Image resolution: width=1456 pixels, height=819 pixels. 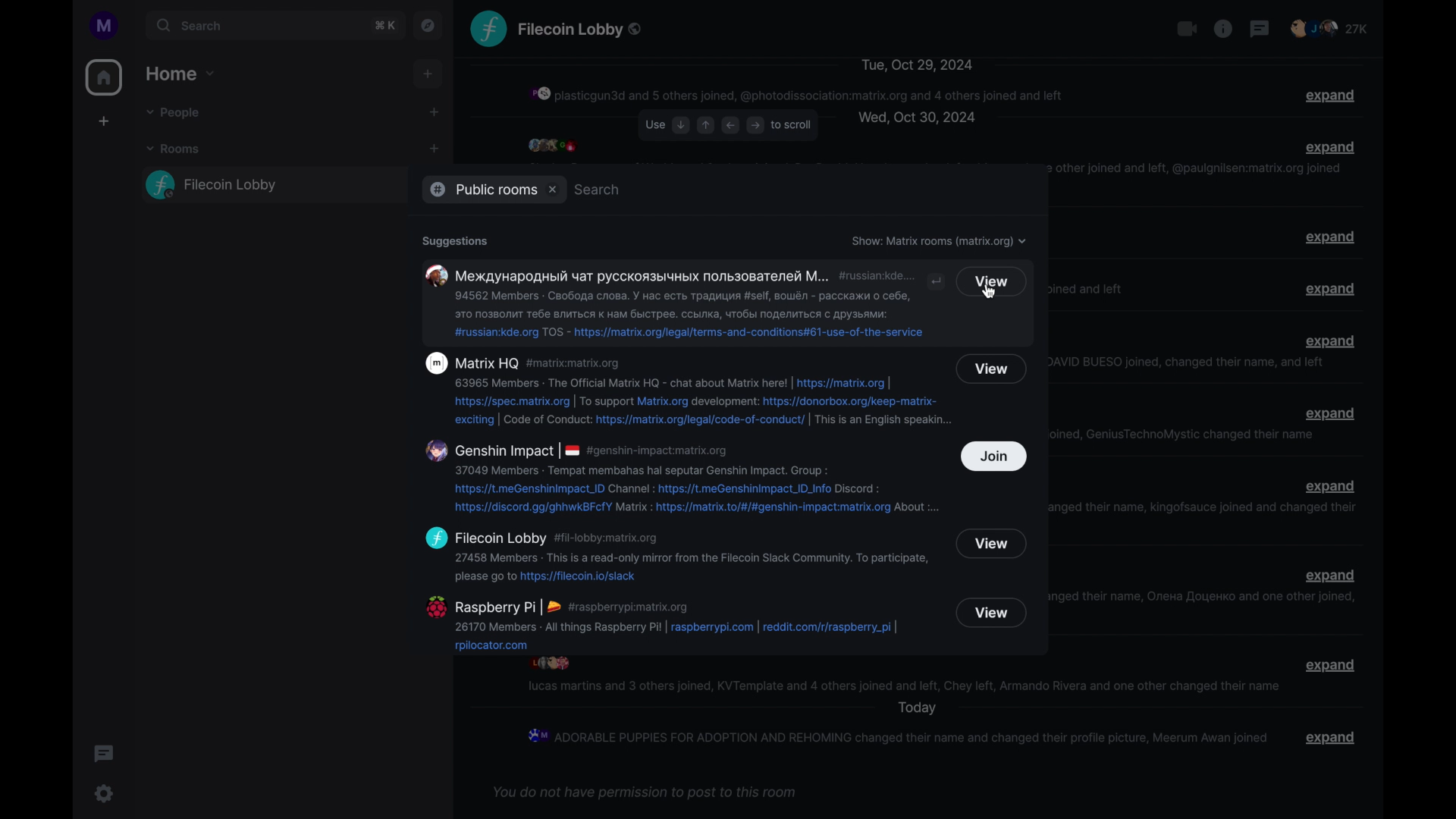 What do you see at coordinates (991, 613) in the screenshot?
I see `view` at bounding box center [991, 613].